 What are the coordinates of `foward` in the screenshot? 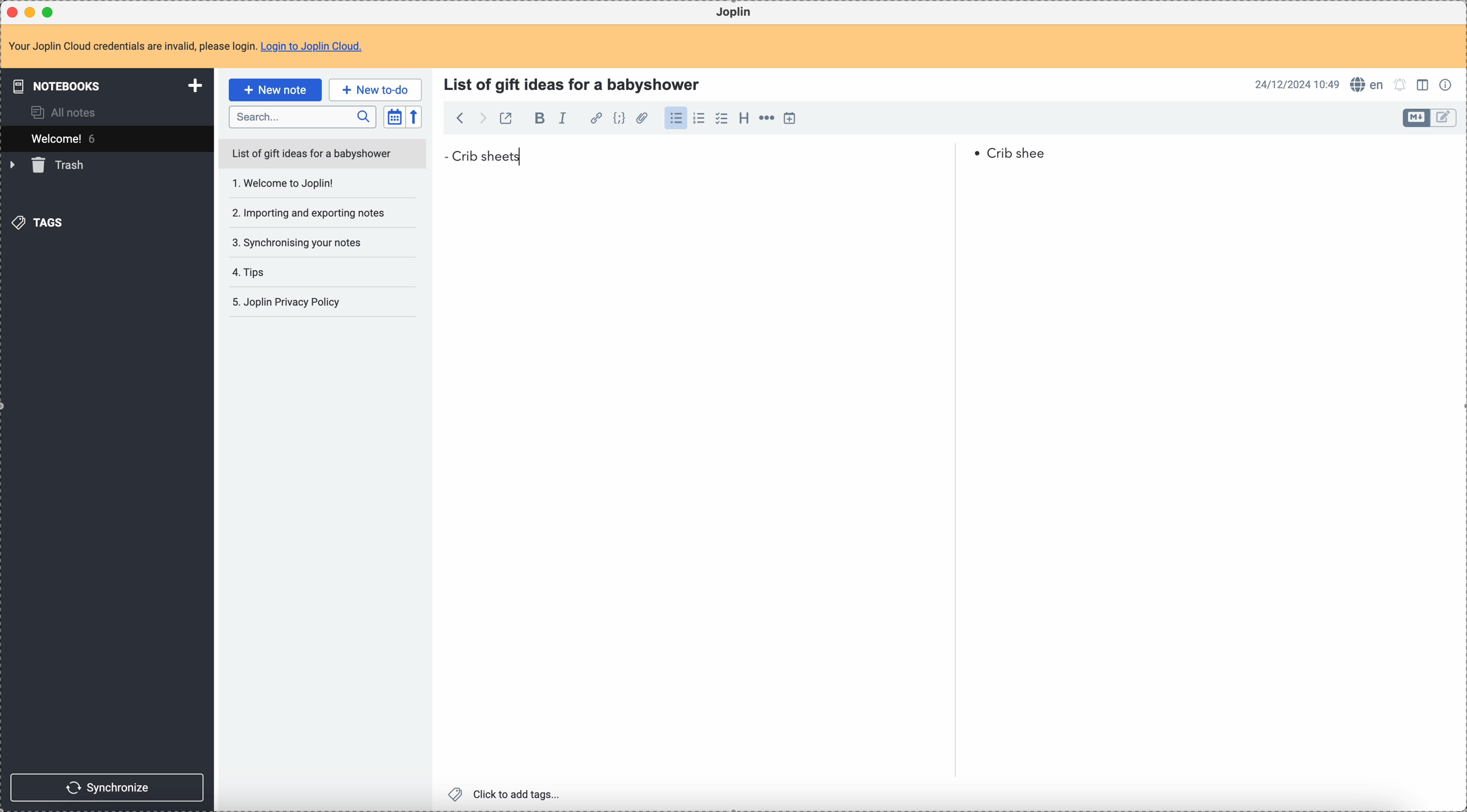 It's located at (483, 118).